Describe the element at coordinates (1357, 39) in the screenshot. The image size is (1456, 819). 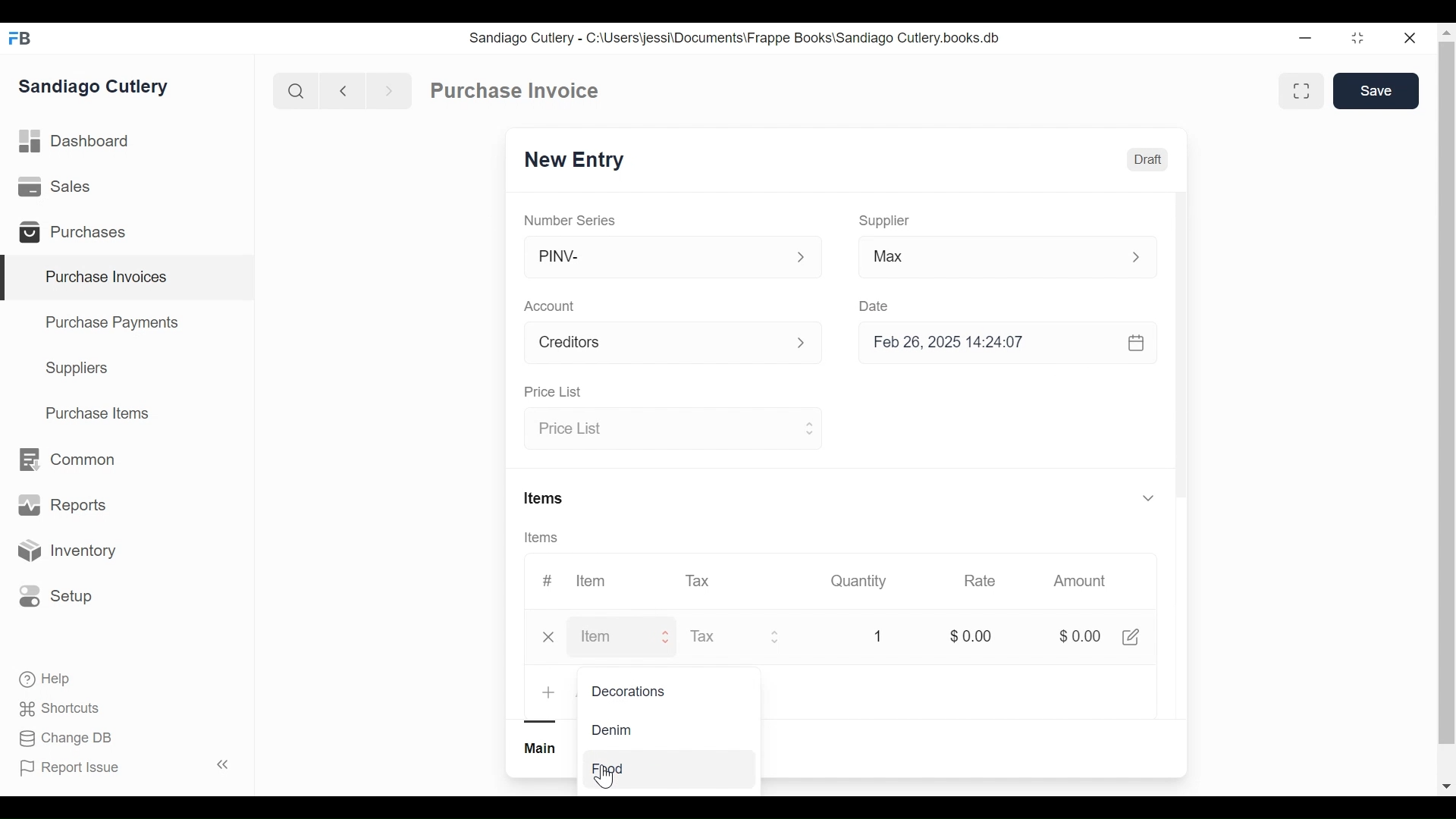
I see `restore` at that location.